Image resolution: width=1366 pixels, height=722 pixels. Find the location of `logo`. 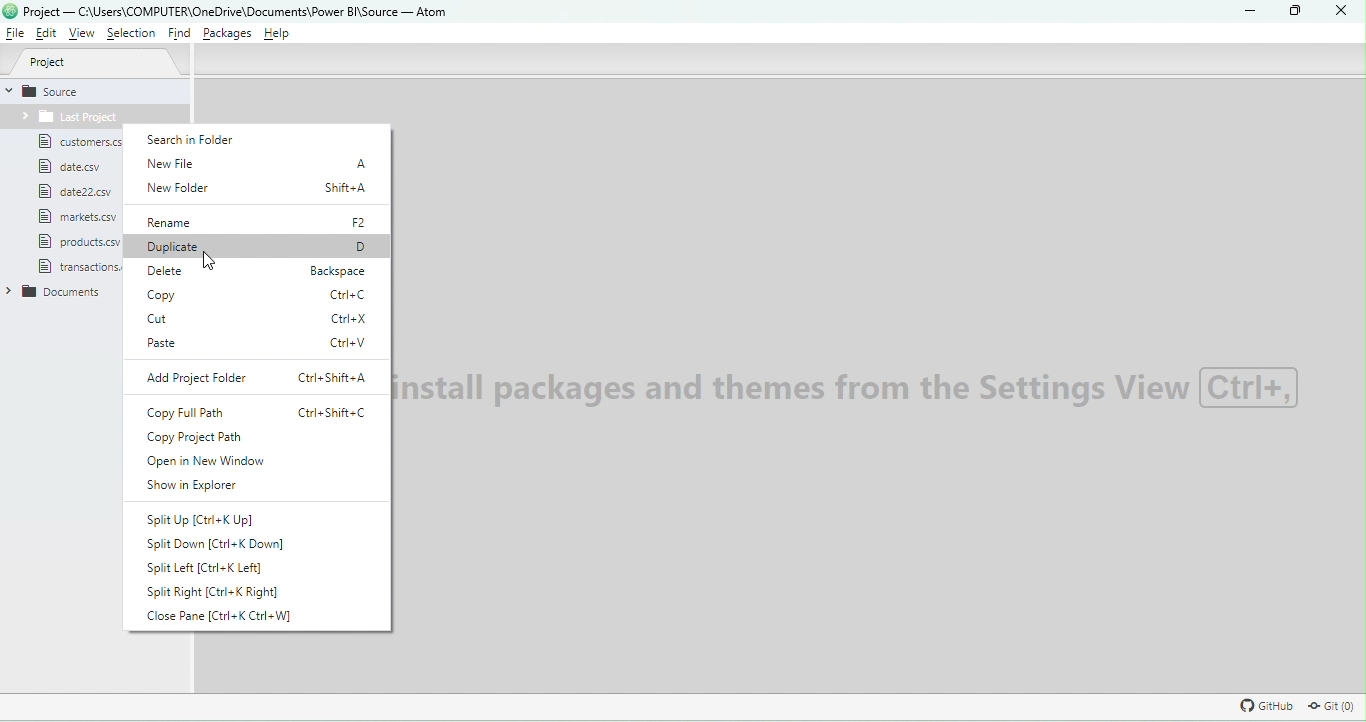

logo is located at coordinates (11, 13).